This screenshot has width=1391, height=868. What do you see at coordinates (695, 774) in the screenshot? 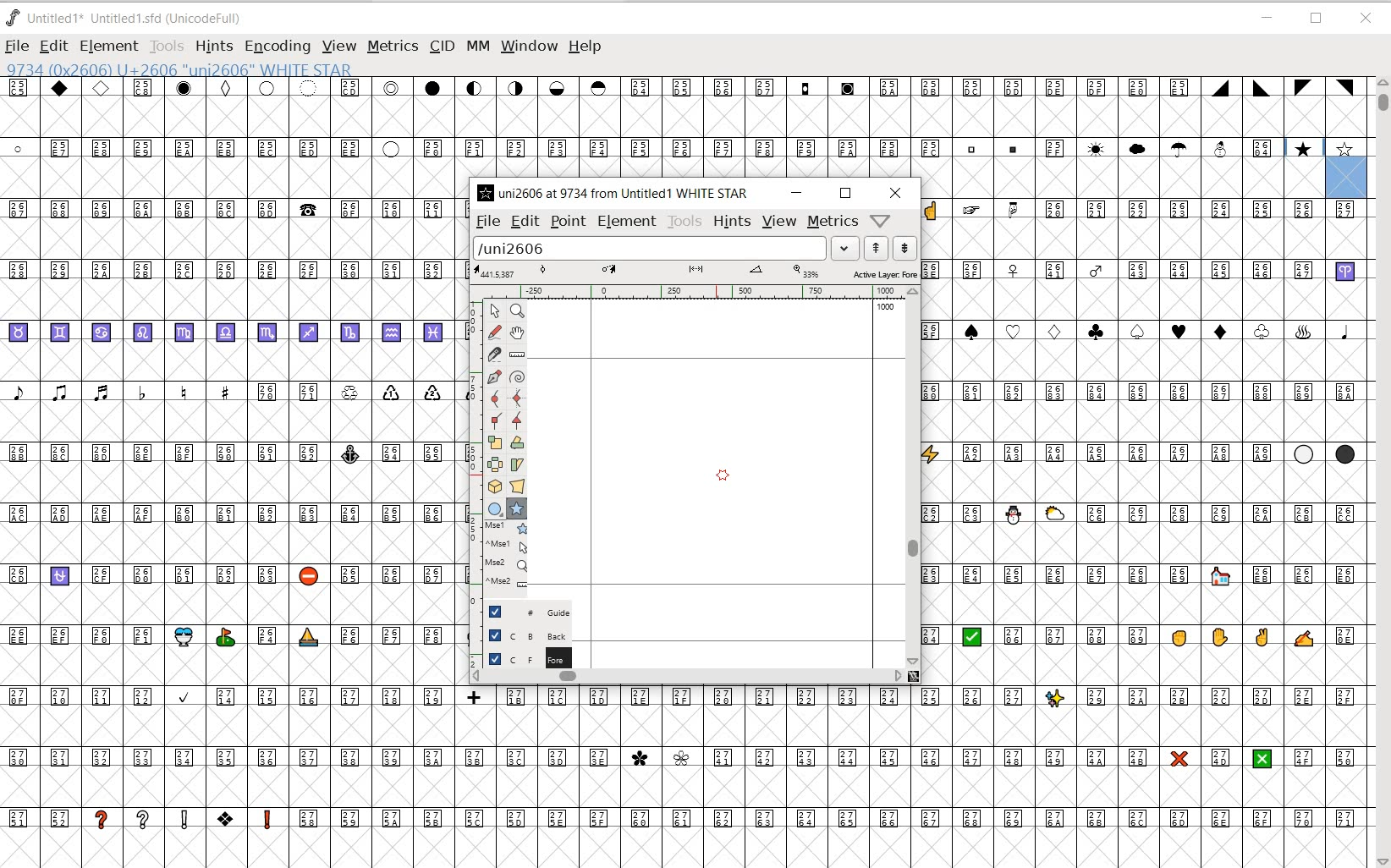
I see `GLYPHY CHARACTERS & NUMBERS` at bounding box center [695, 774].